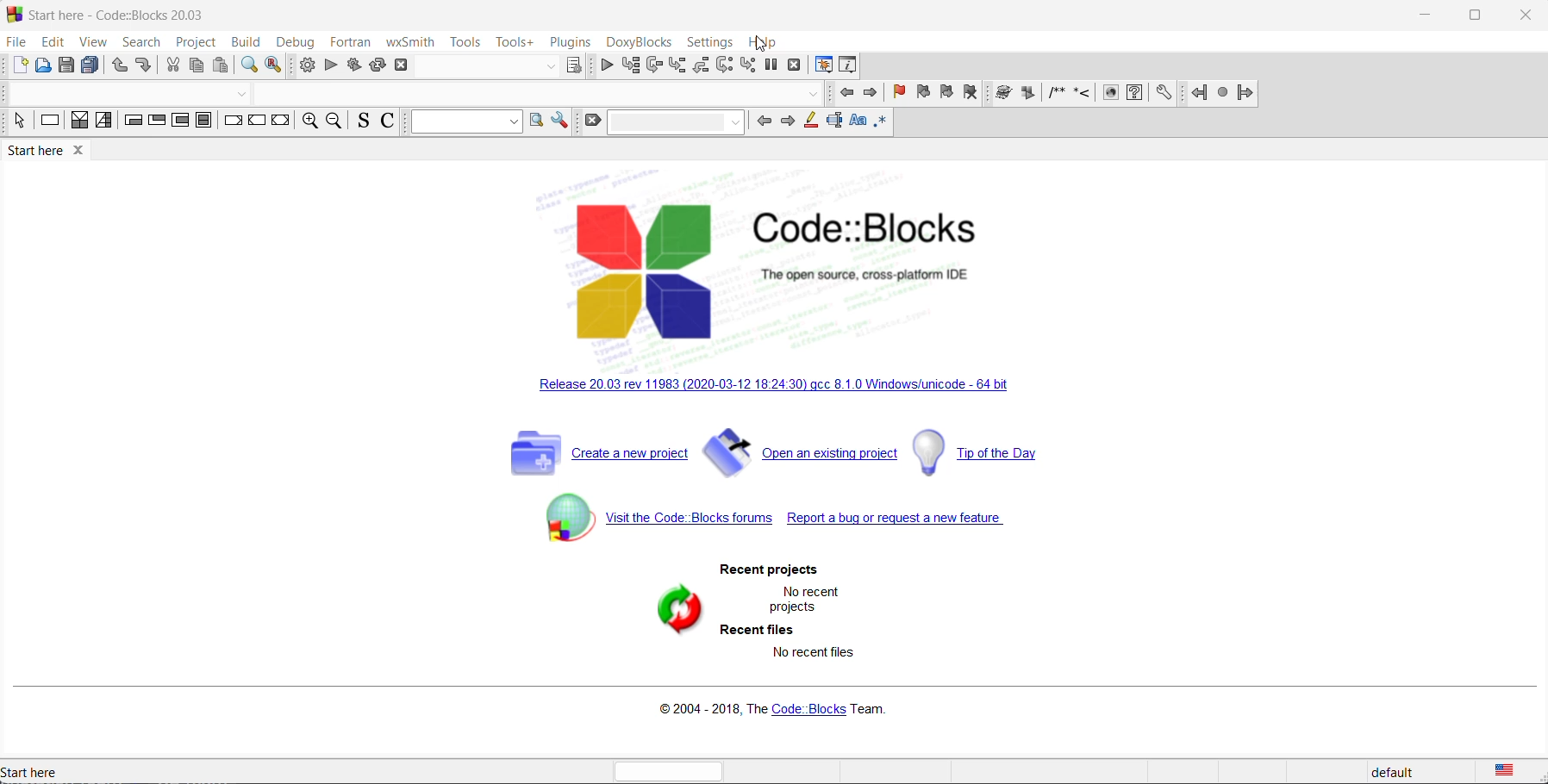 The image size is (1548, 784). I want to click on open existing project, so click(803, 451).